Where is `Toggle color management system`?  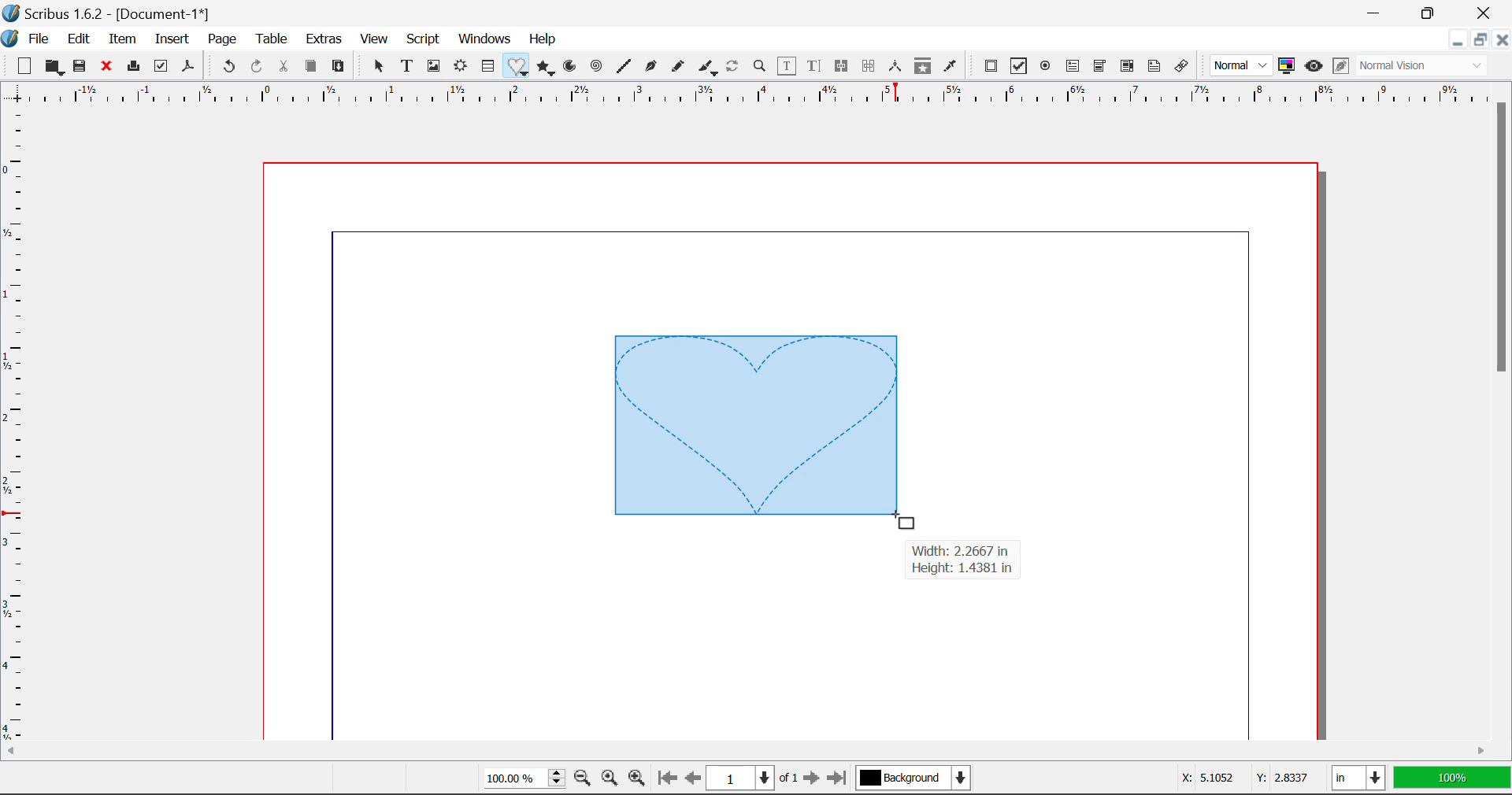
Toggle color management system is located at coordinates (1287, 67).